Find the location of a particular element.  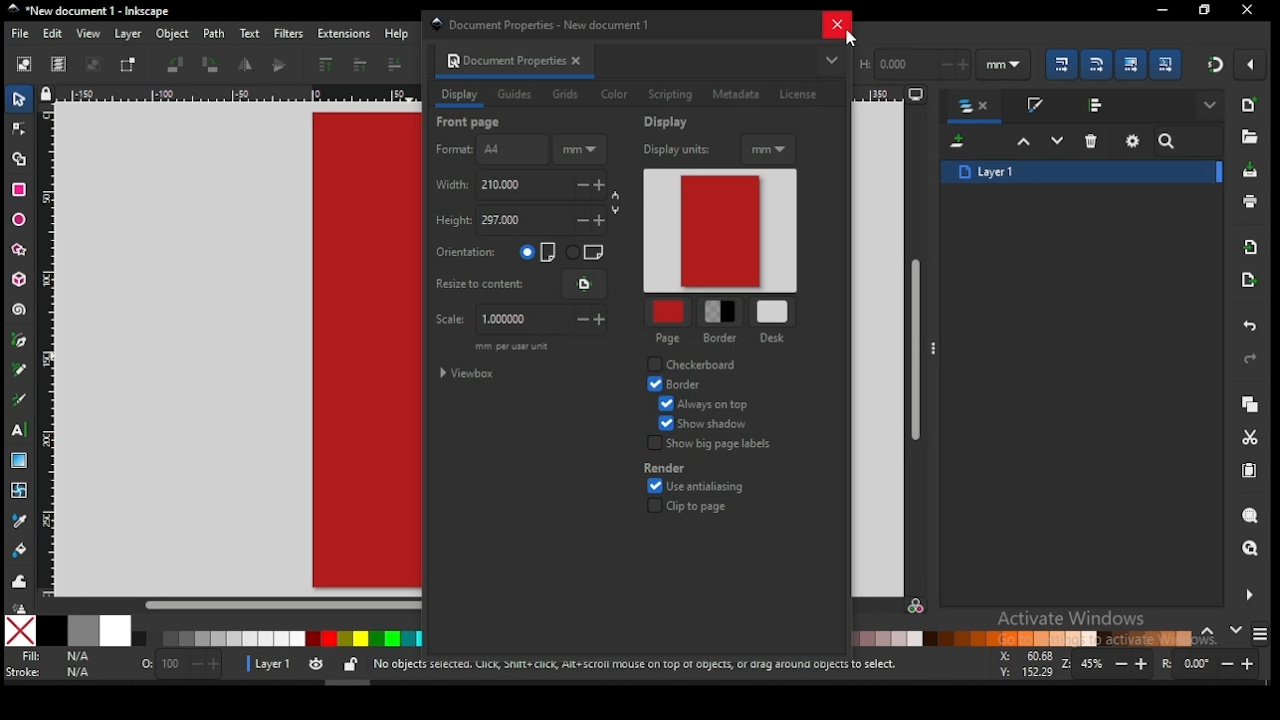

toggle selection box to select all touched objects is located at coordinates (128, 65).